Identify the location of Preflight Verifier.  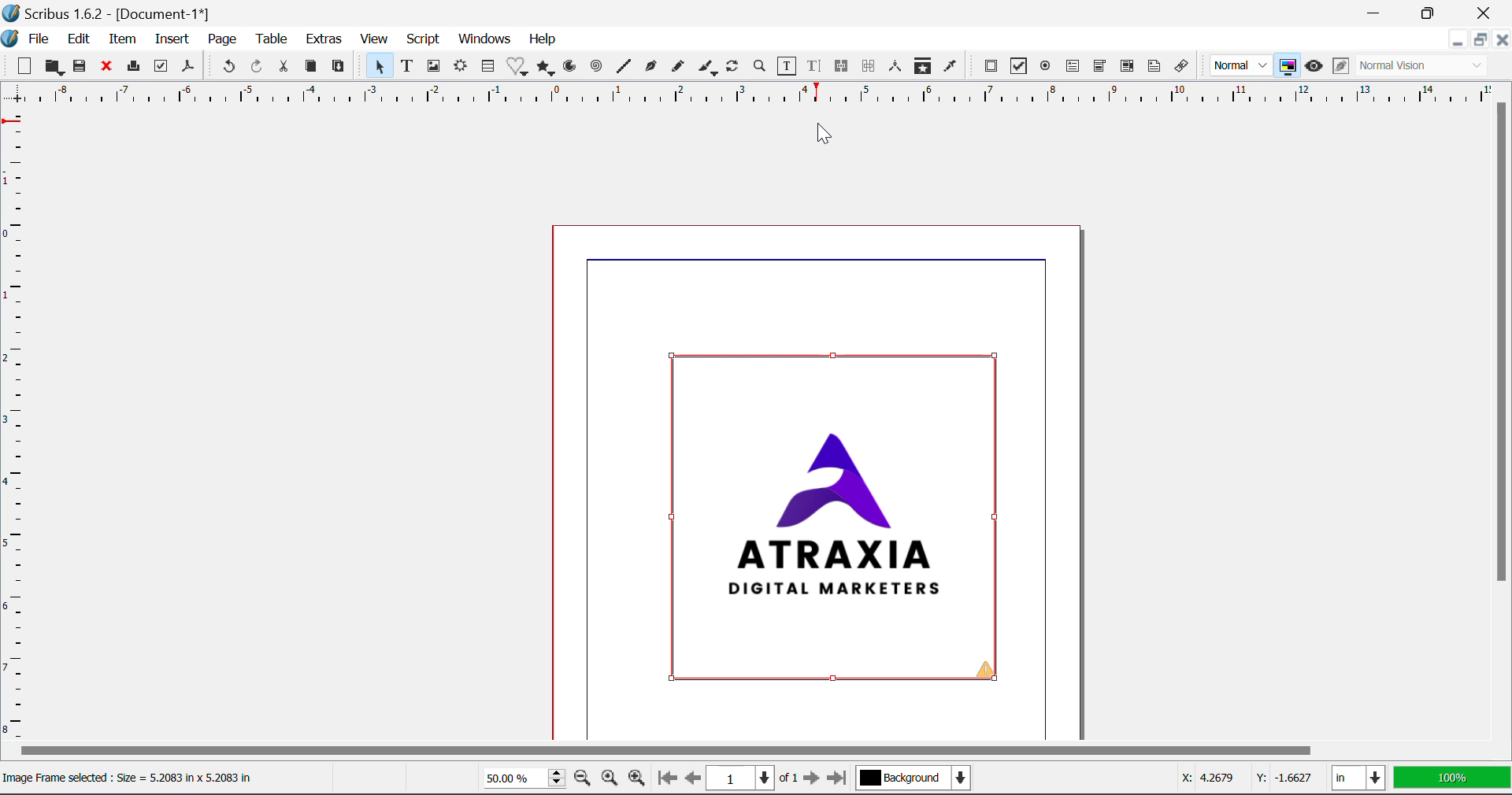
(161, 66).